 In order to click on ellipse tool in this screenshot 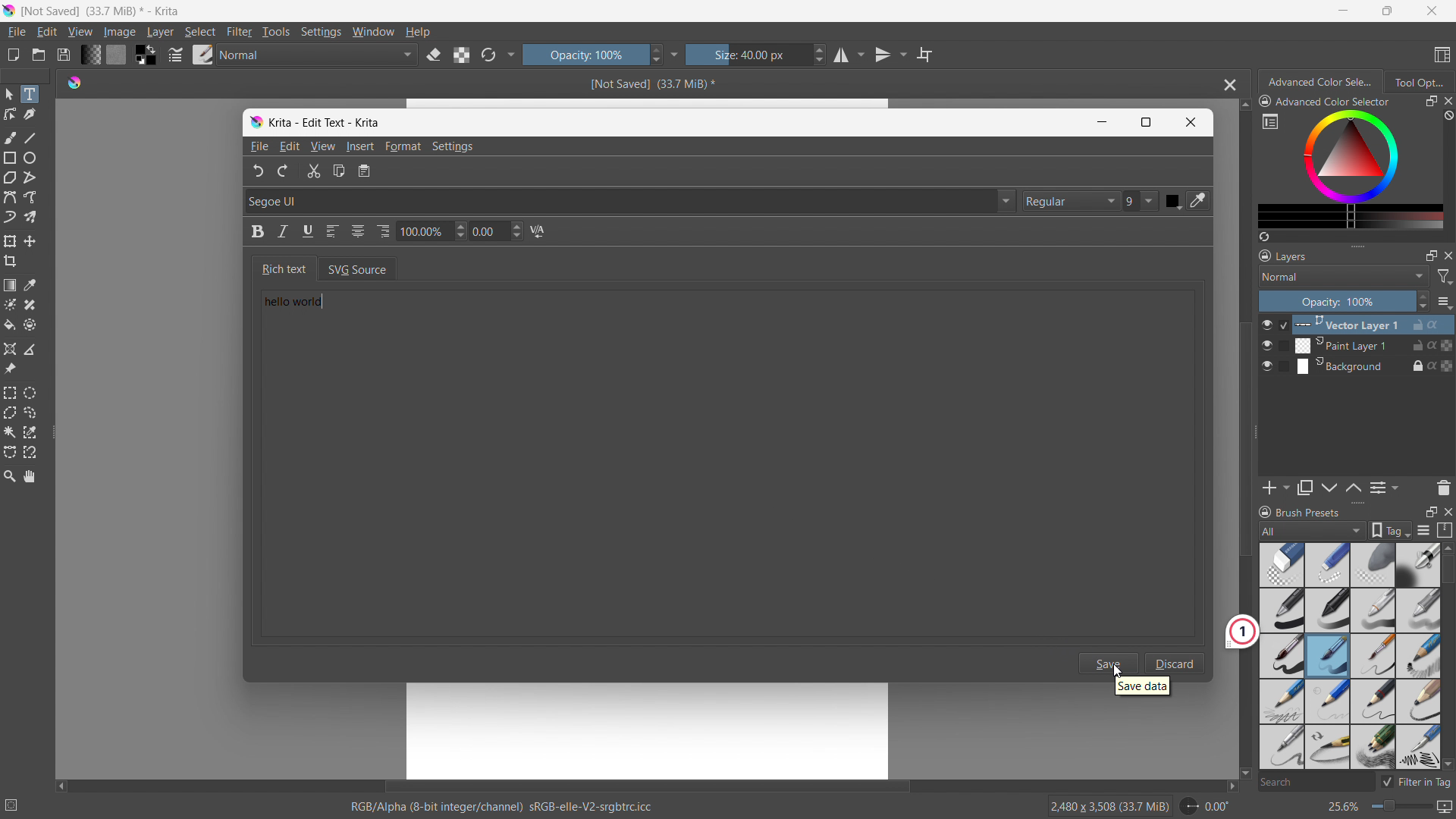, I will do `click(30, 158)`.